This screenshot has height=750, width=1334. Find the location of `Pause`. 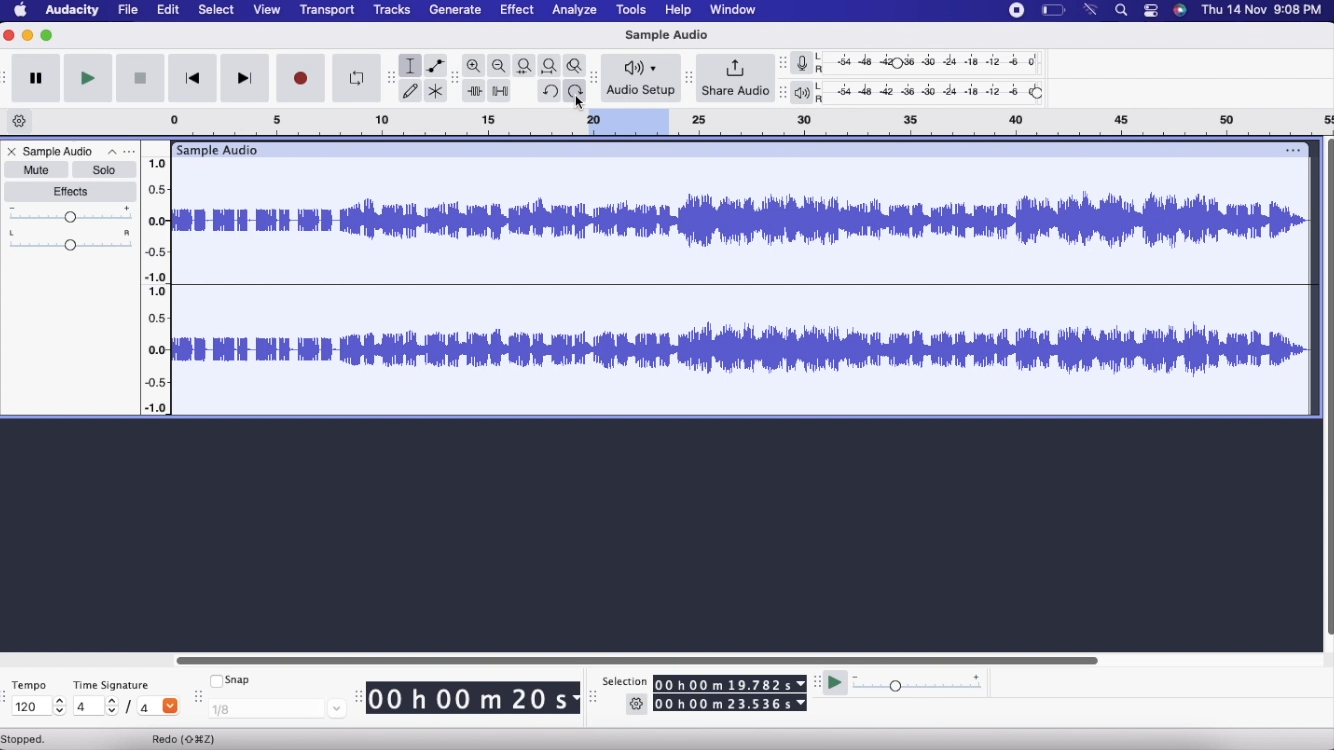

Pause is located at coordinates (35, 77).